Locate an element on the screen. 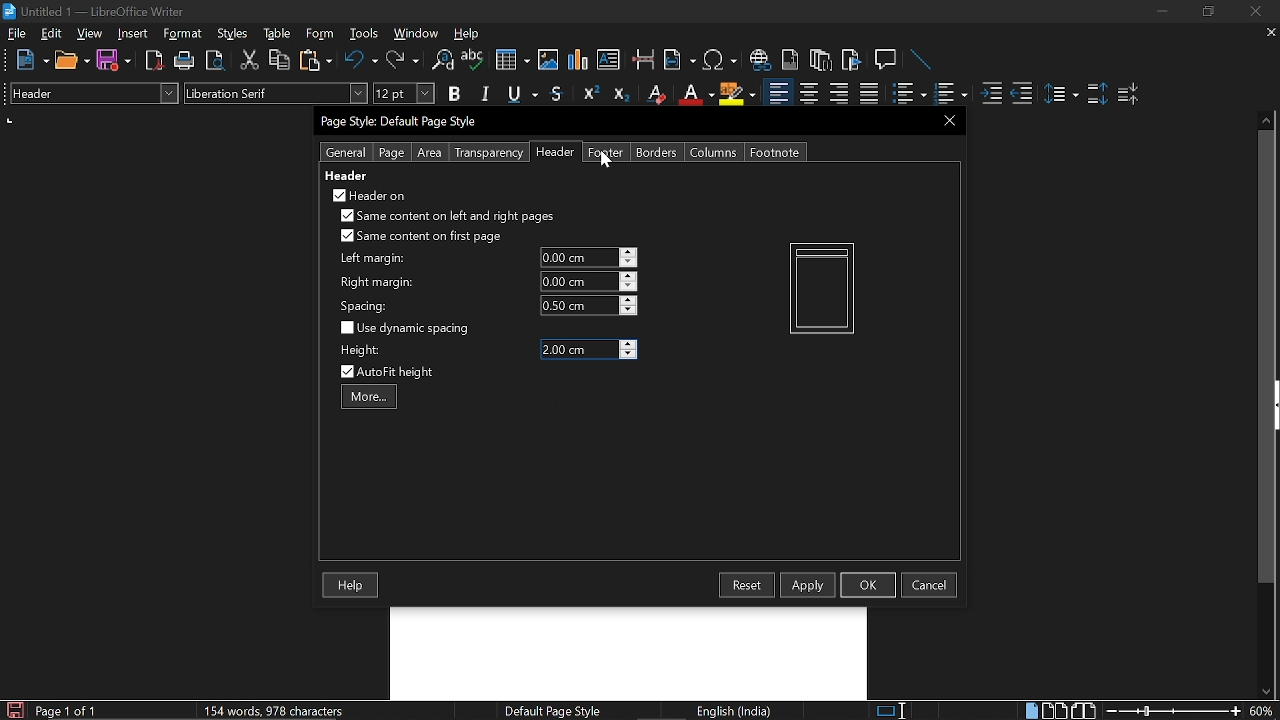 The width and height of the screenshot is (1280, 720). Decrease height is located at coordinates (629, 355).